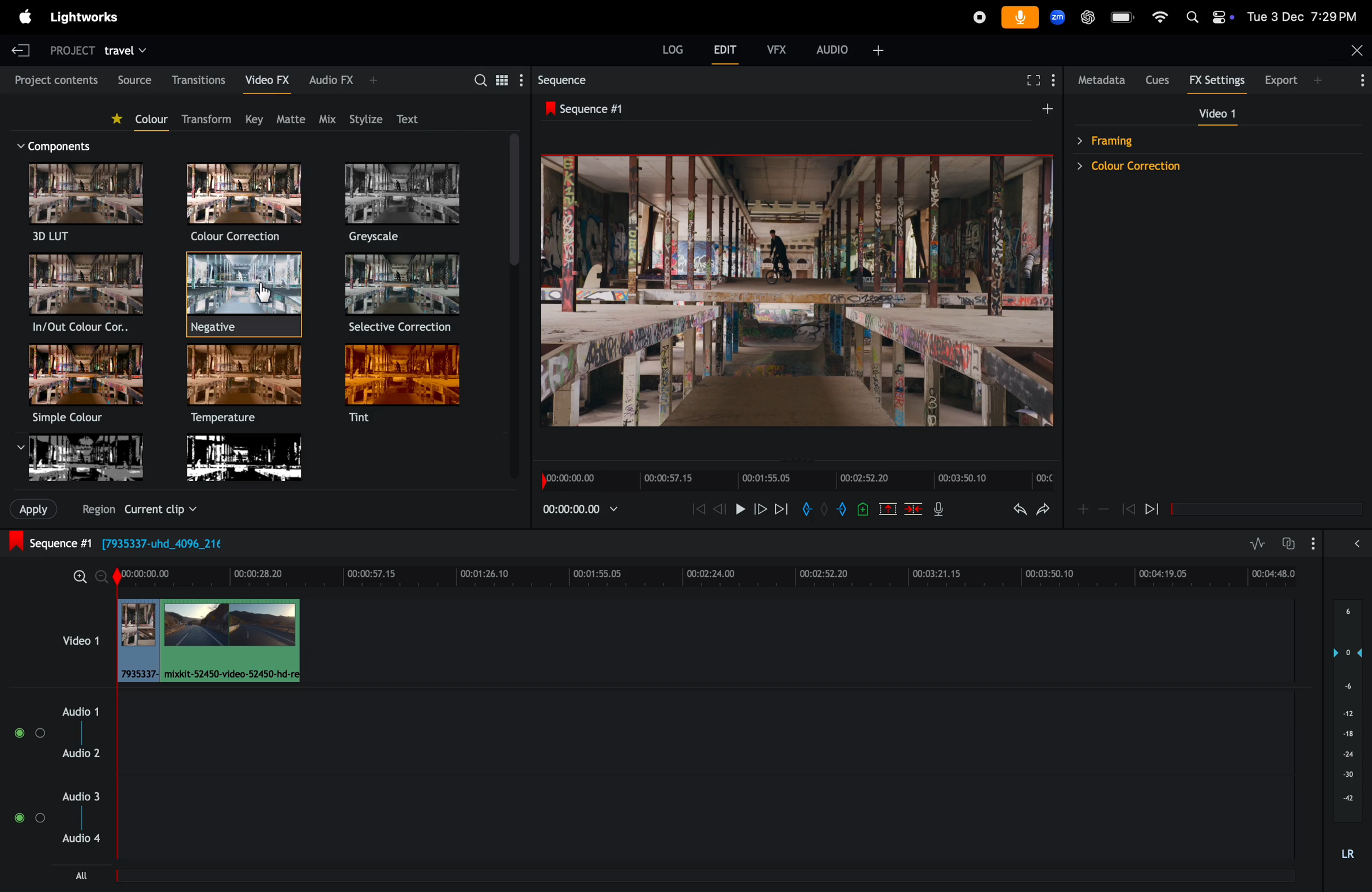 The width and height of the screenshot is (1372, 892). Describe the element at coordinates (1043, 510) in the screenshot. I see `redo` at that location.